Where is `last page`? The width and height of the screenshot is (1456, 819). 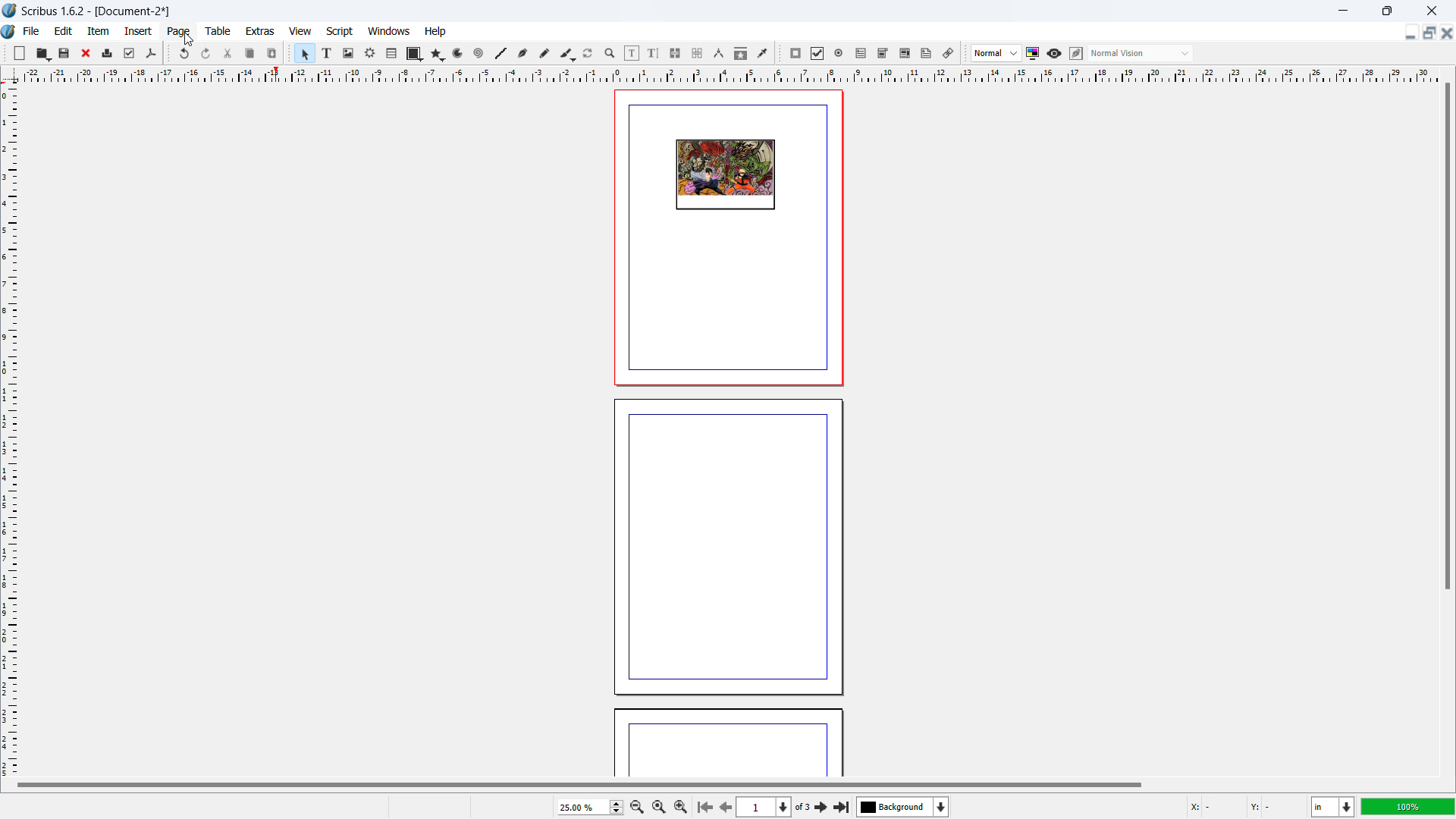 last page is located at coordinates (841, 805).